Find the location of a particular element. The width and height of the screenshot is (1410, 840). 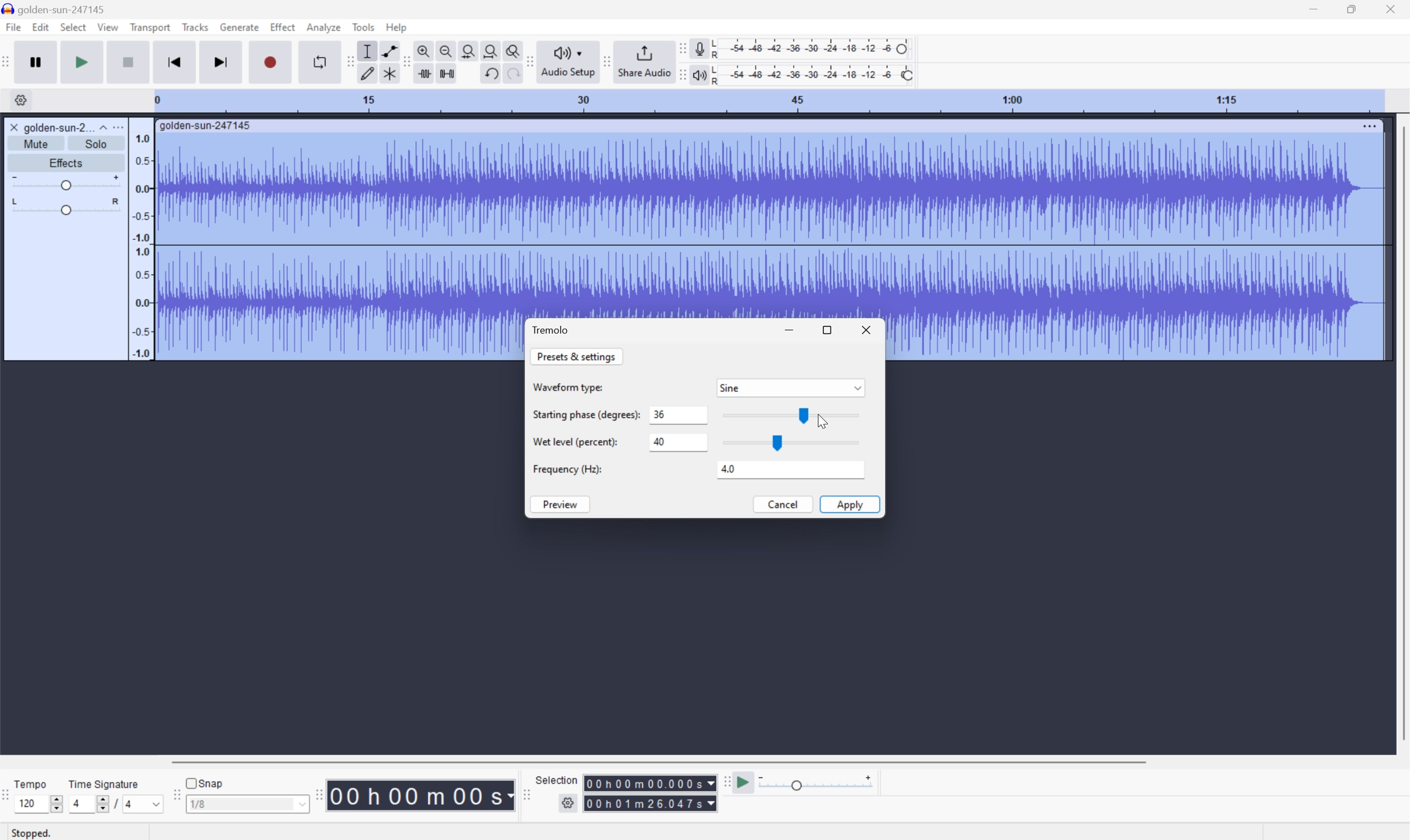

Playback level: 100% is located at coordinates (814, 74).